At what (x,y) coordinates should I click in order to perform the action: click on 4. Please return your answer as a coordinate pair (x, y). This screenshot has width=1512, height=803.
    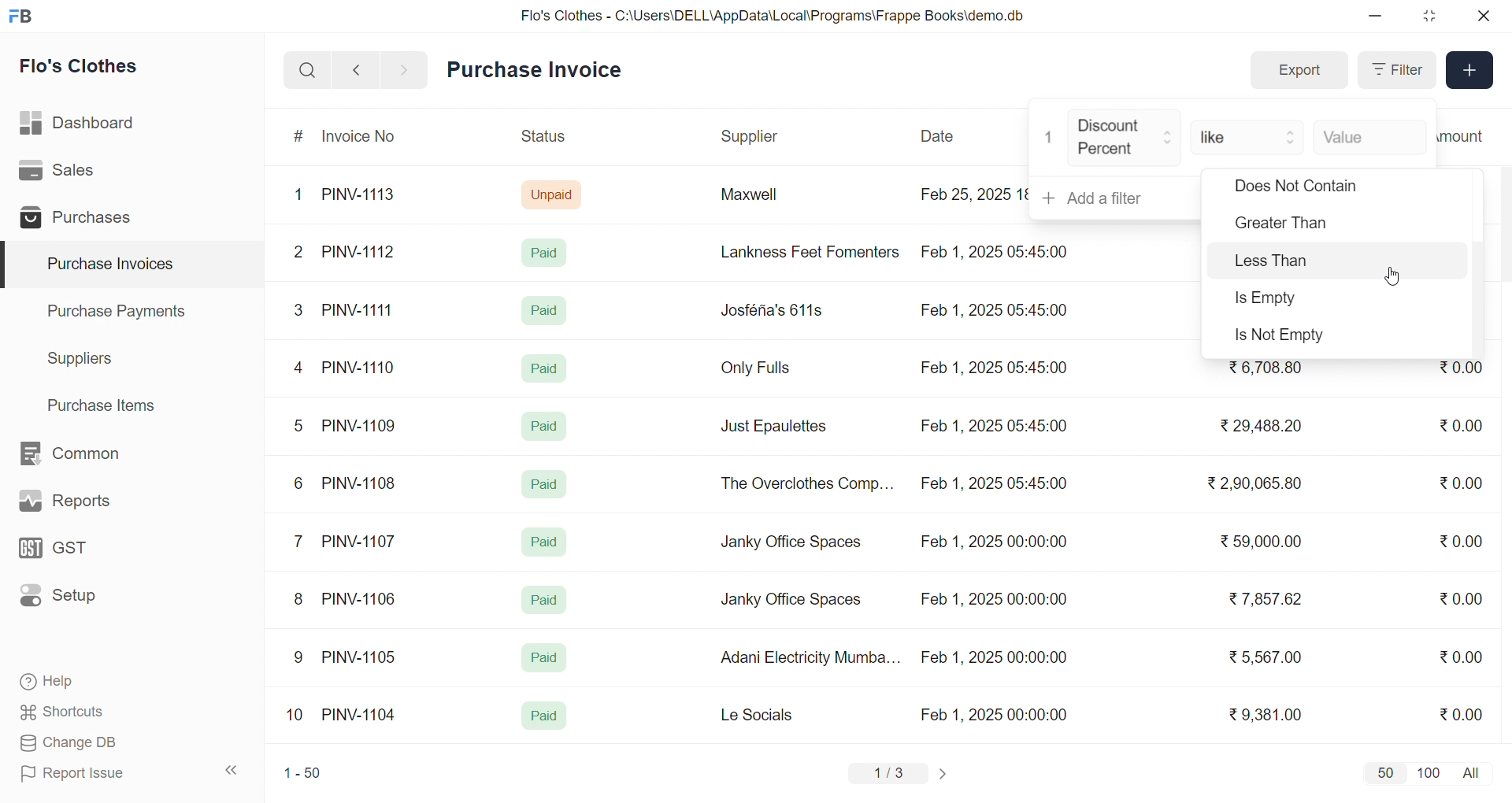
    Looking at the image, I should click on (302, 368).